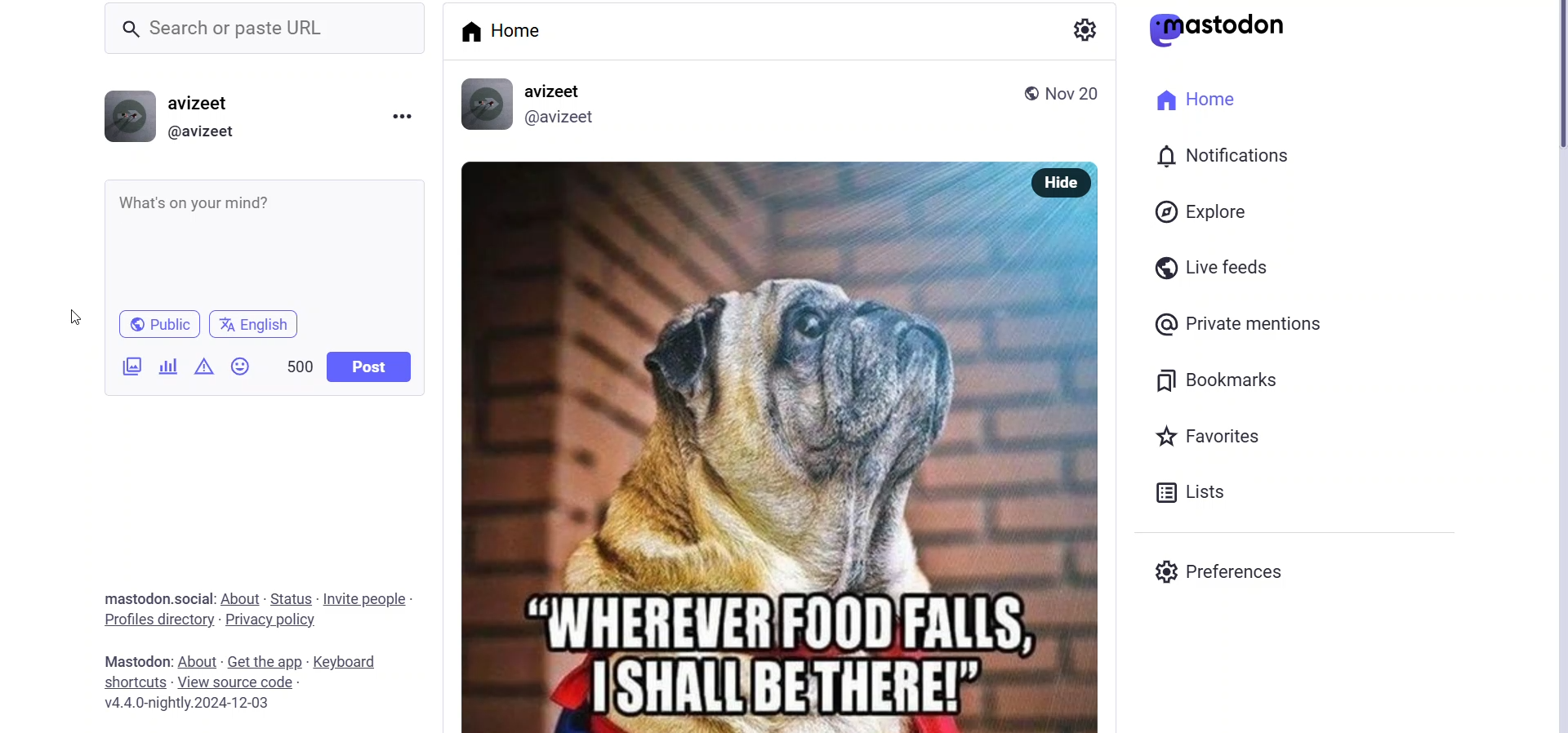 This screenshot has width=1568, height=733. What do you see at coordinates (263, 243) in the screenshot?
I see `whats on your mind` at bounding box center [263, 243].